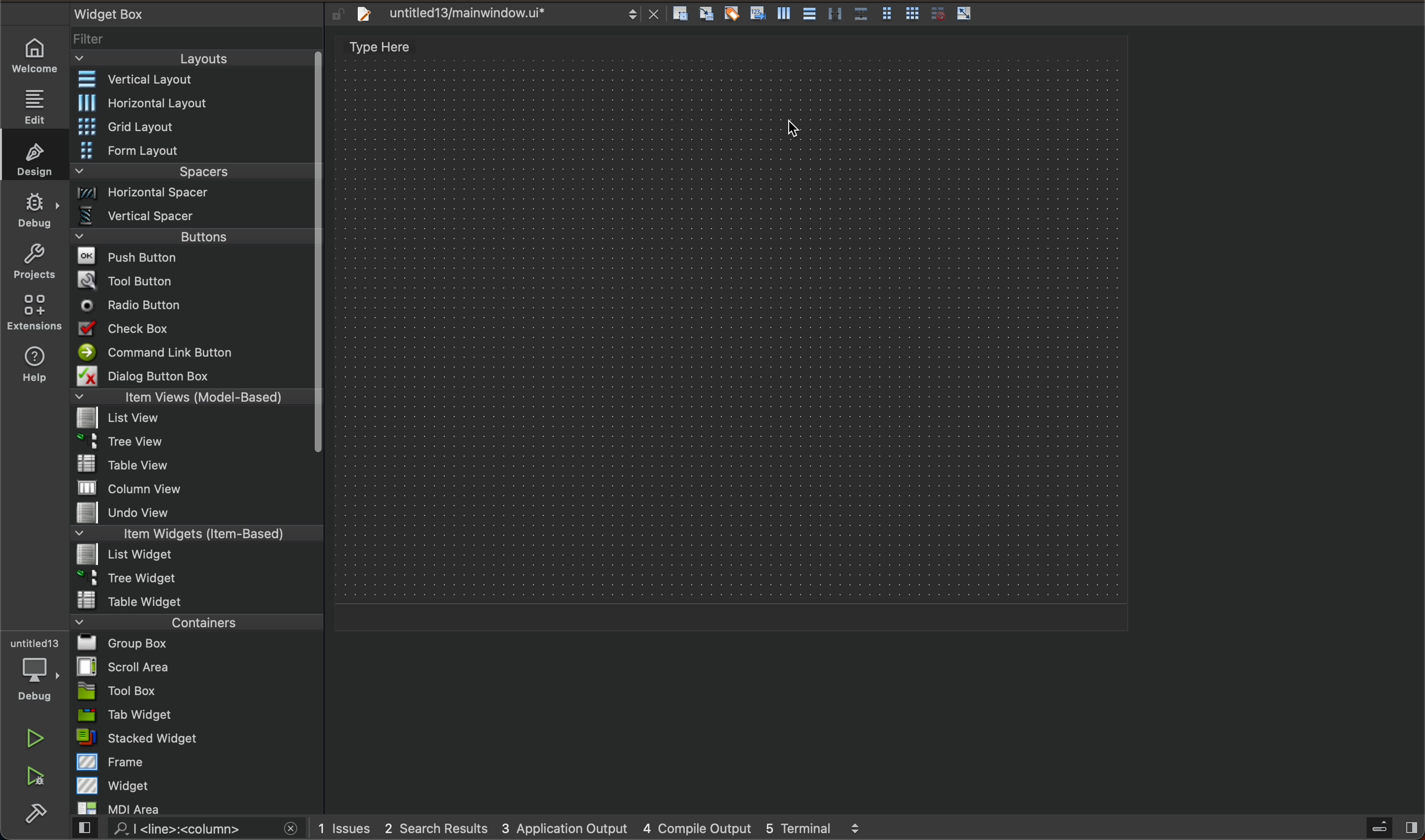 The image size is (1425, 840). Describe the element at coordinates (37, 102) in the screenshot. I see `edit` at that location.